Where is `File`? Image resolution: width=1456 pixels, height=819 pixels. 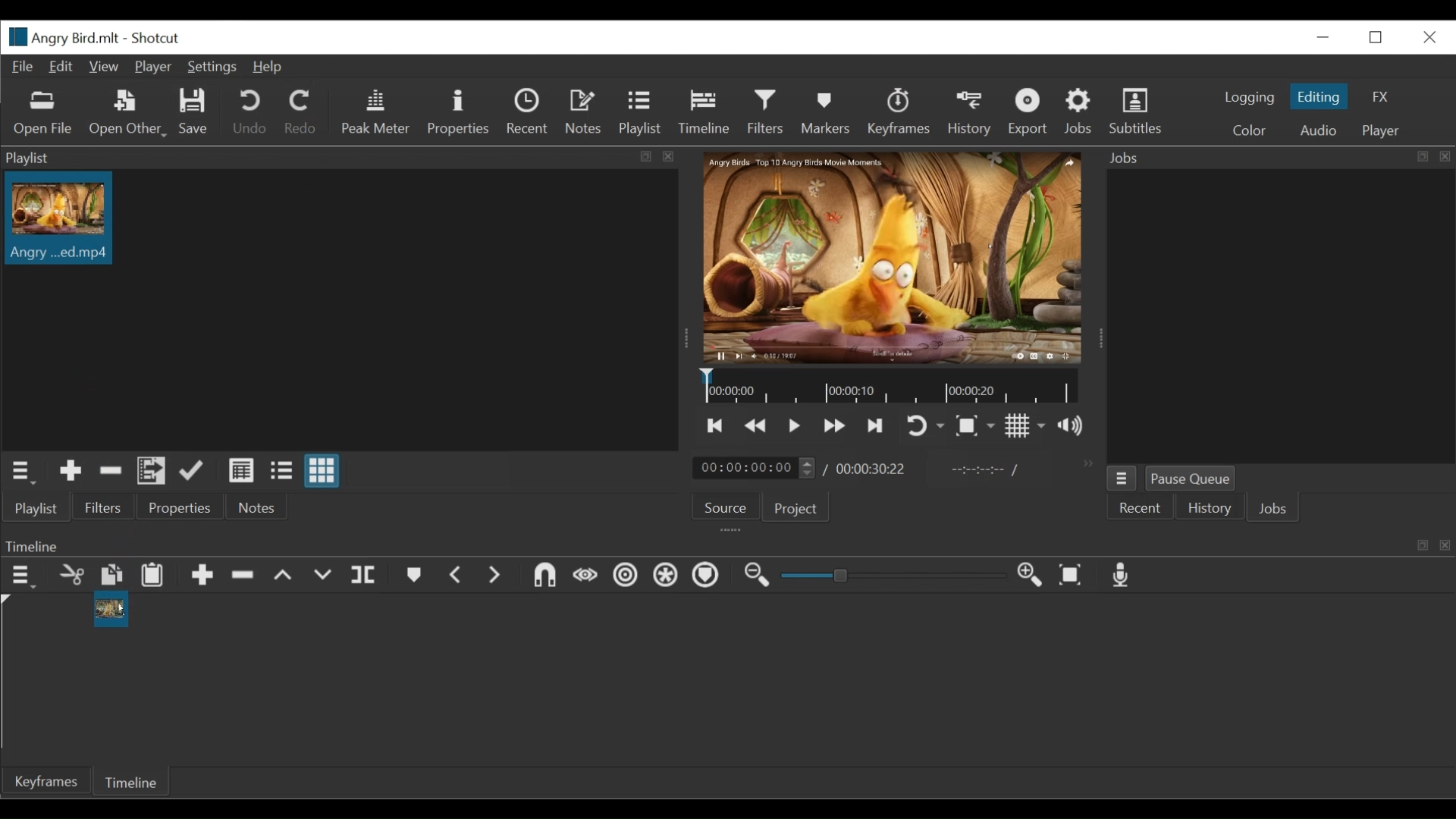
File is located at coordinates (22, 67).